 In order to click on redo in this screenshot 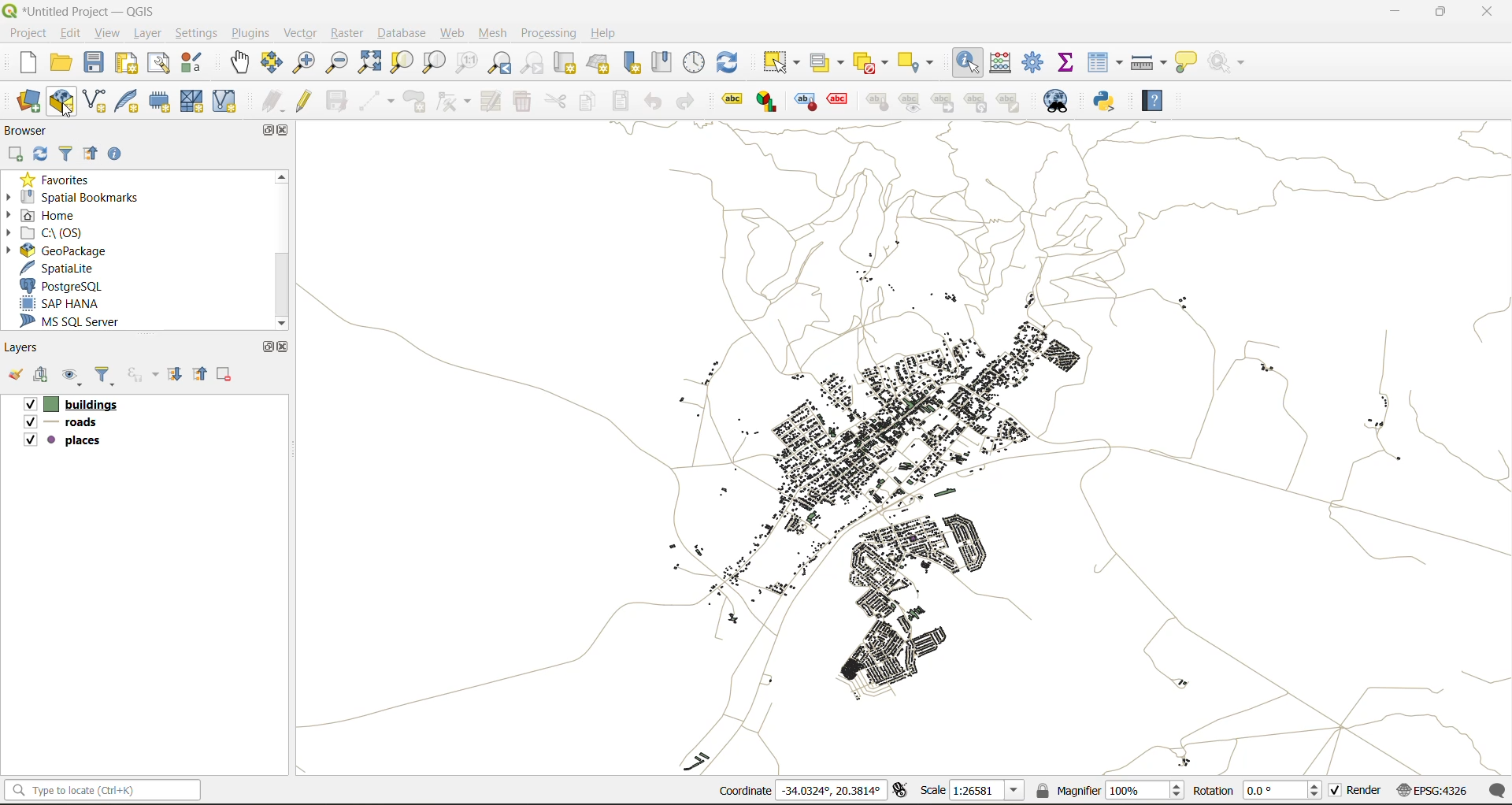, I will do `click(686, 102)`.